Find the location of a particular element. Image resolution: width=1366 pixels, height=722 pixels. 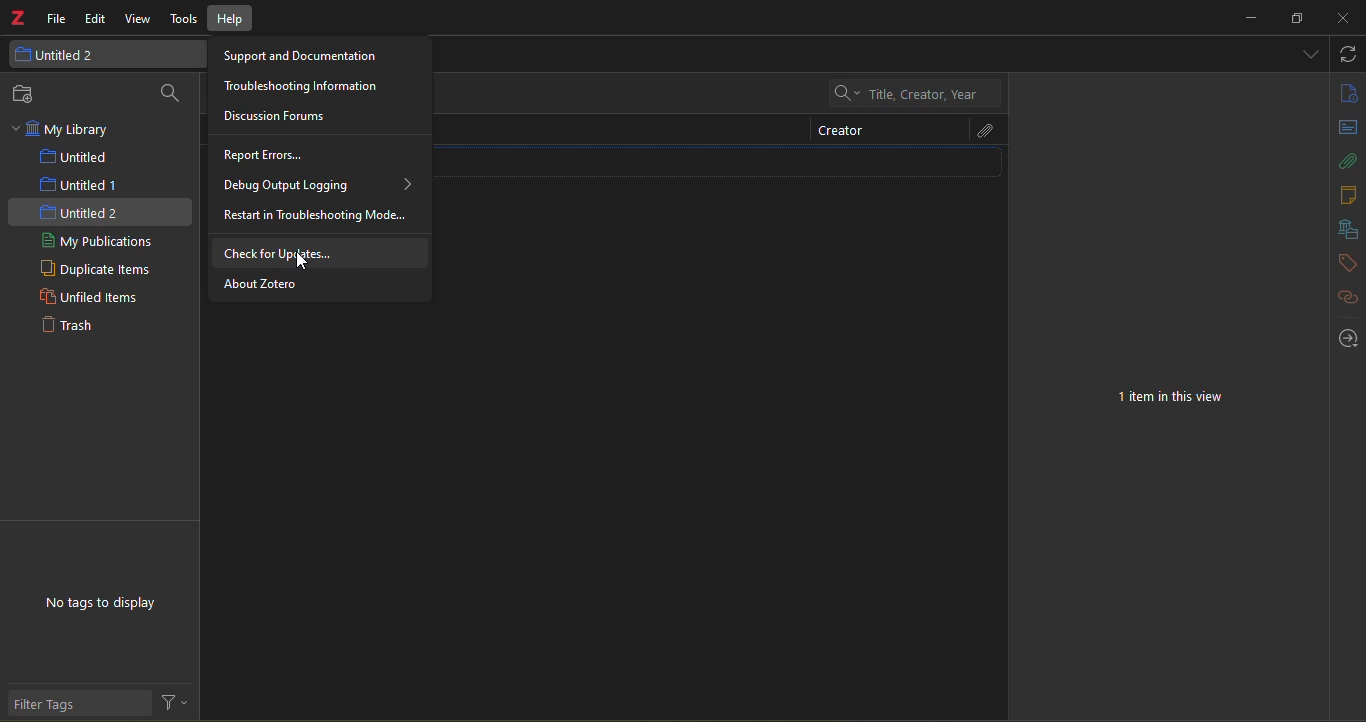

dropdown is located at coordinates (1312, 53).